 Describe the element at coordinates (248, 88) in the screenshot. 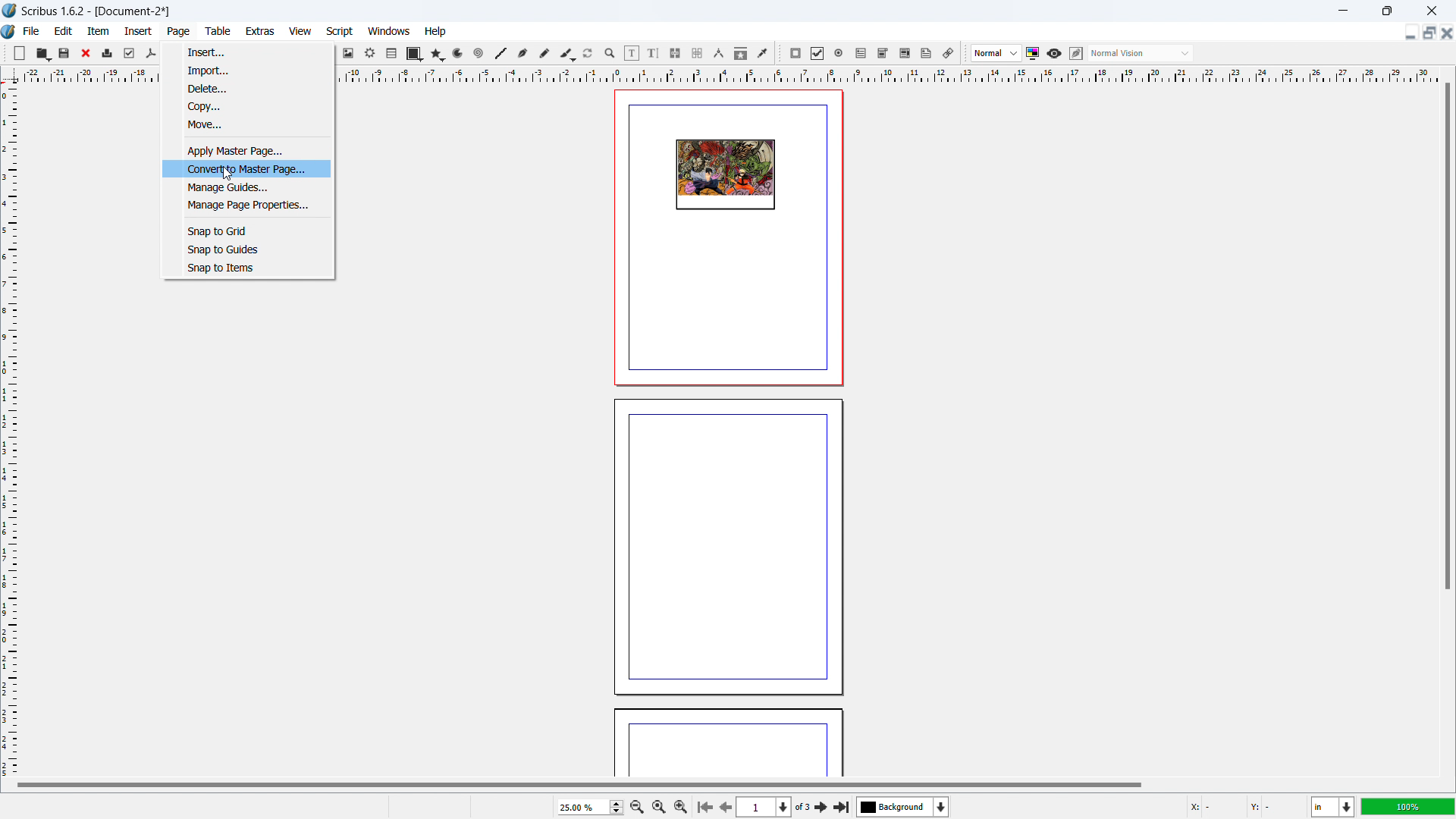

I see `delete` at that location.